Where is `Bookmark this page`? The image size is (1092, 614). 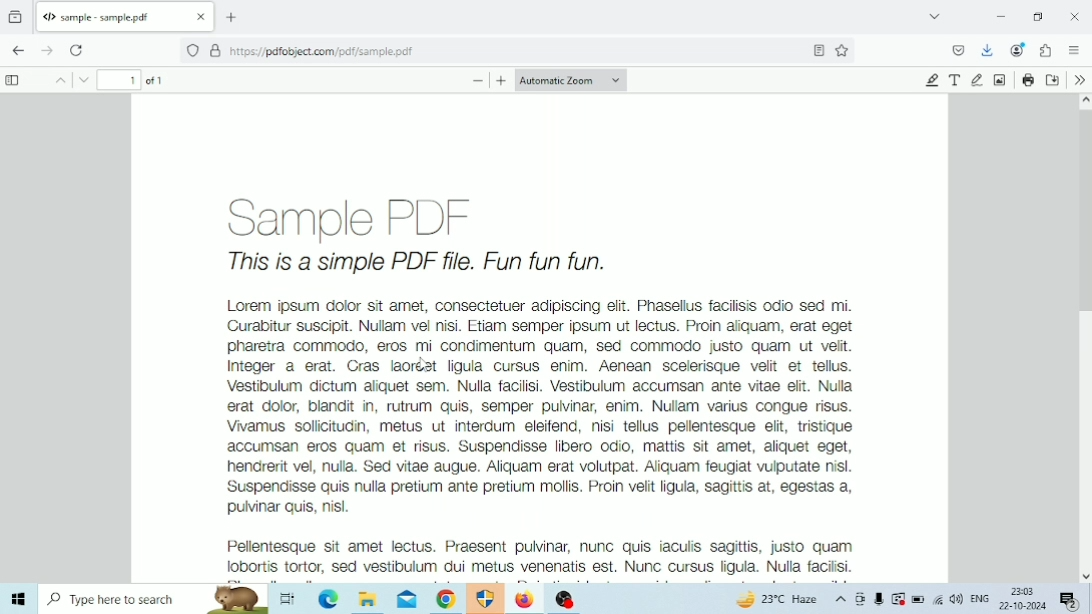 Bookmark this page is located at coordinates (819, 50).